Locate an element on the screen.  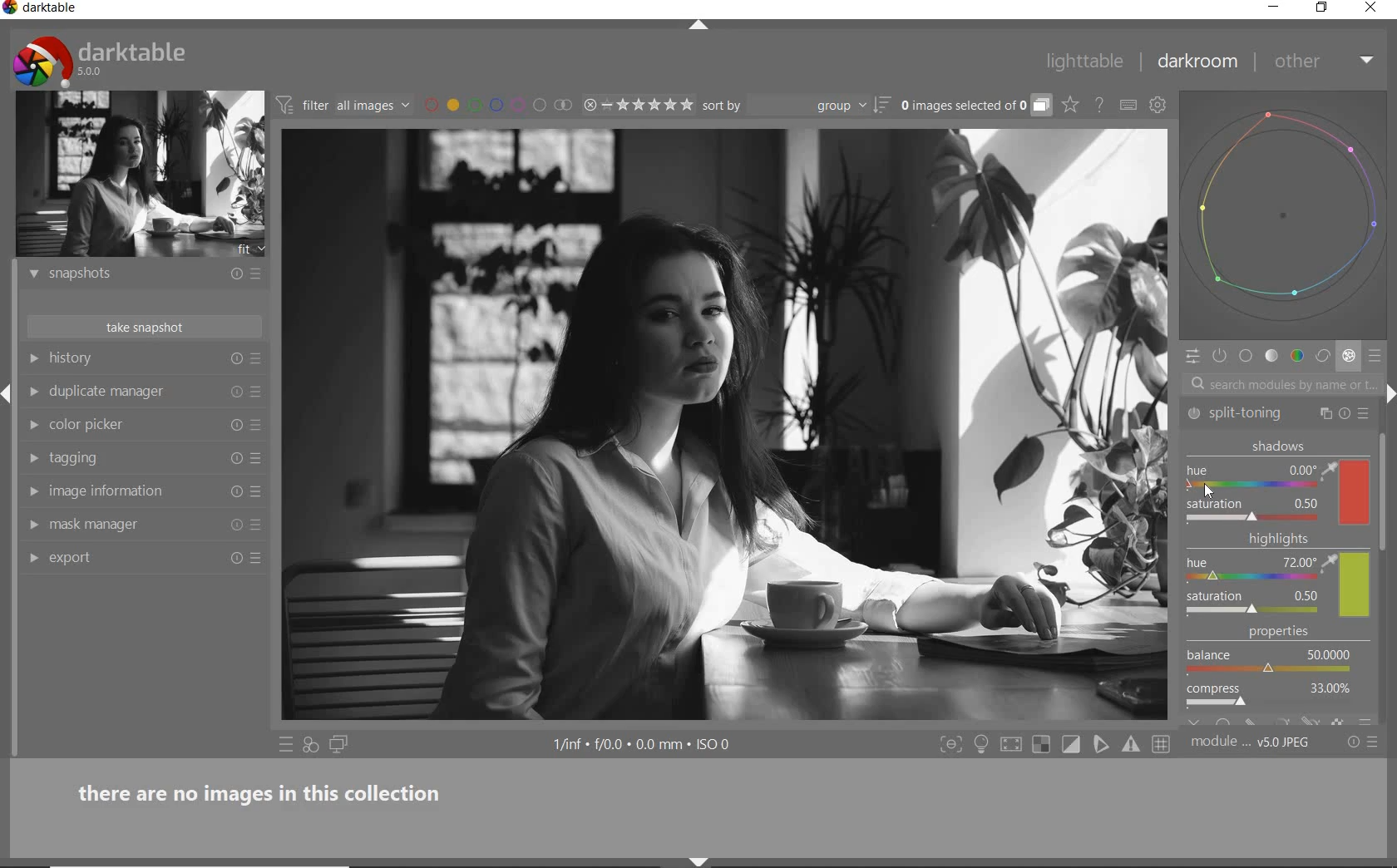
presets and preferences is located at coordinates (255, 359).